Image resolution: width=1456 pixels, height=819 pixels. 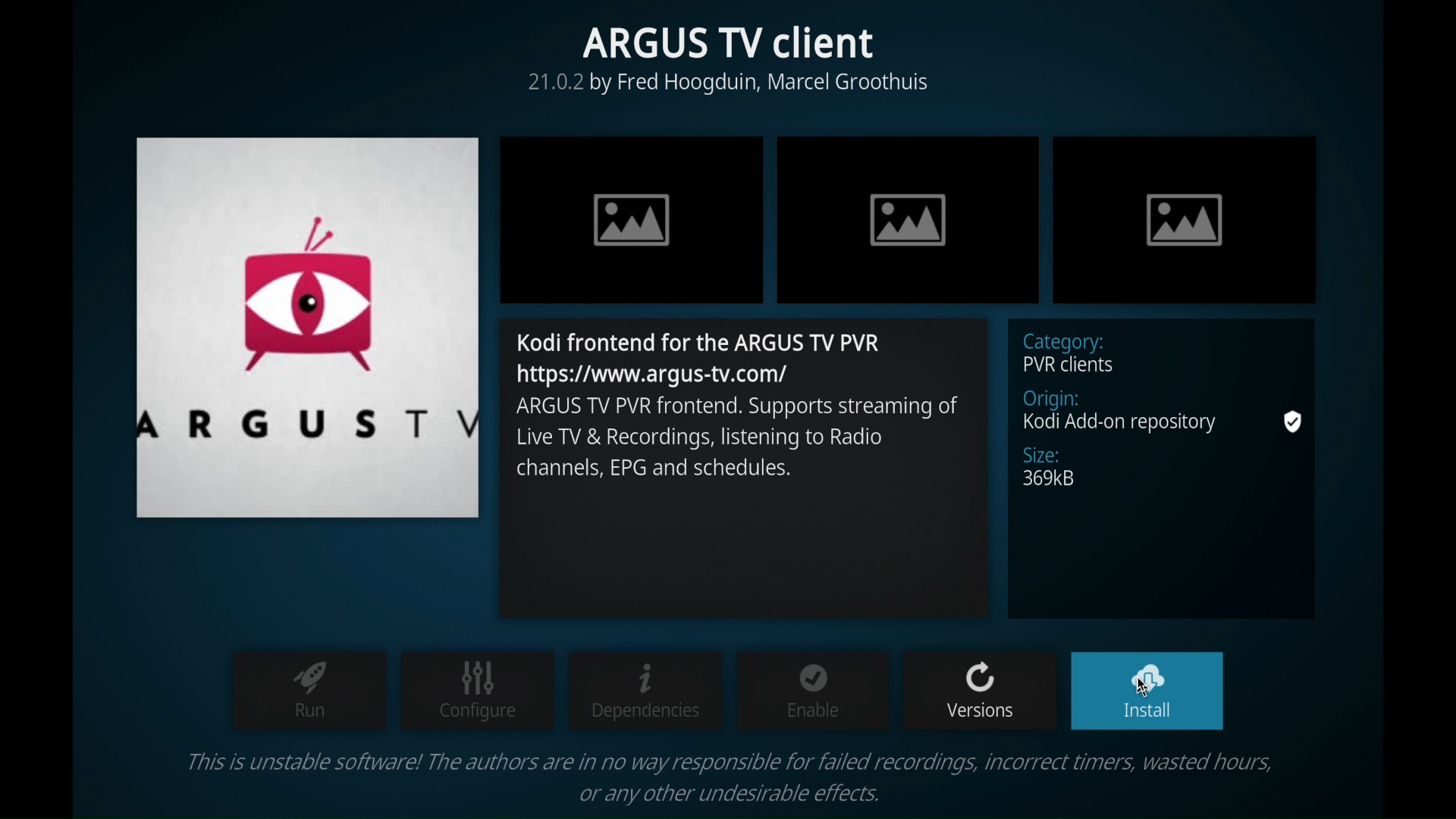 What do you see at coordinates (978, 692) in the screenshot?
I see `Versions` at bounding box center [978, 692].